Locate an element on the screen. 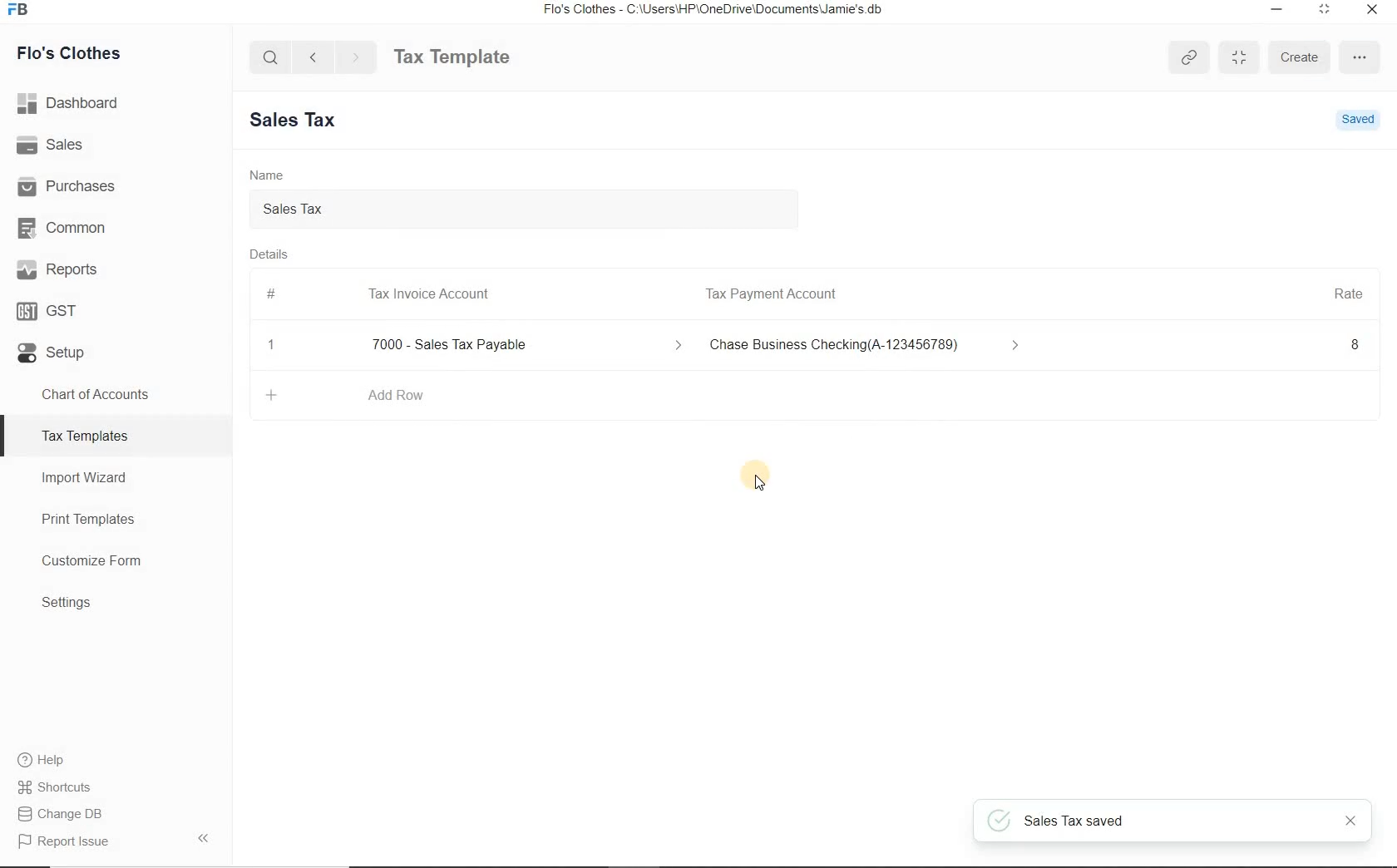 This screenshot has width=1397, height=868. Tax Payment Account is located at coordinates (769, 294).